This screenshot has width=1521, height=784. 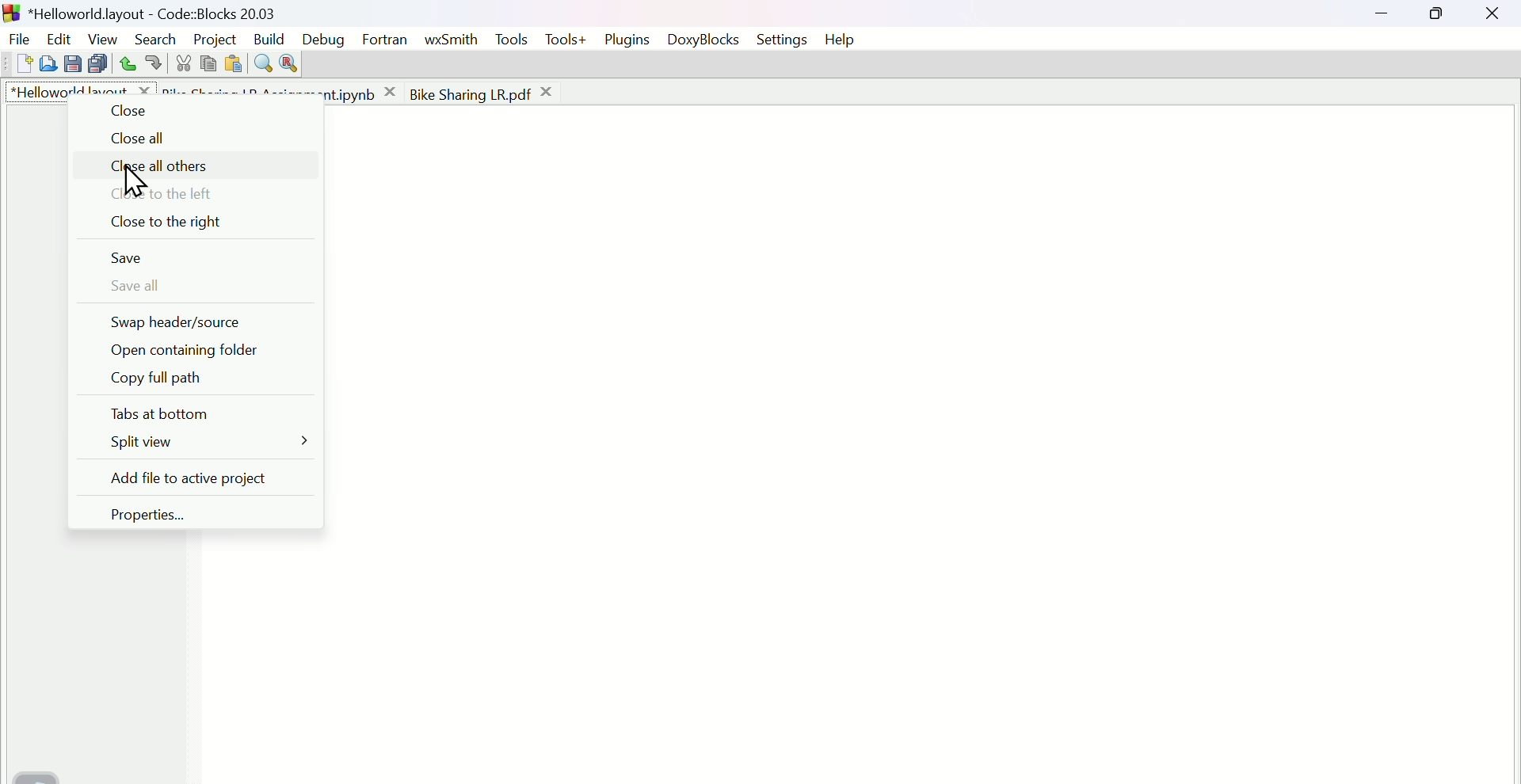 What do you see at coordinates (269, 36) in the screenshot?
I see `Build` at bounding box center [269, 36].